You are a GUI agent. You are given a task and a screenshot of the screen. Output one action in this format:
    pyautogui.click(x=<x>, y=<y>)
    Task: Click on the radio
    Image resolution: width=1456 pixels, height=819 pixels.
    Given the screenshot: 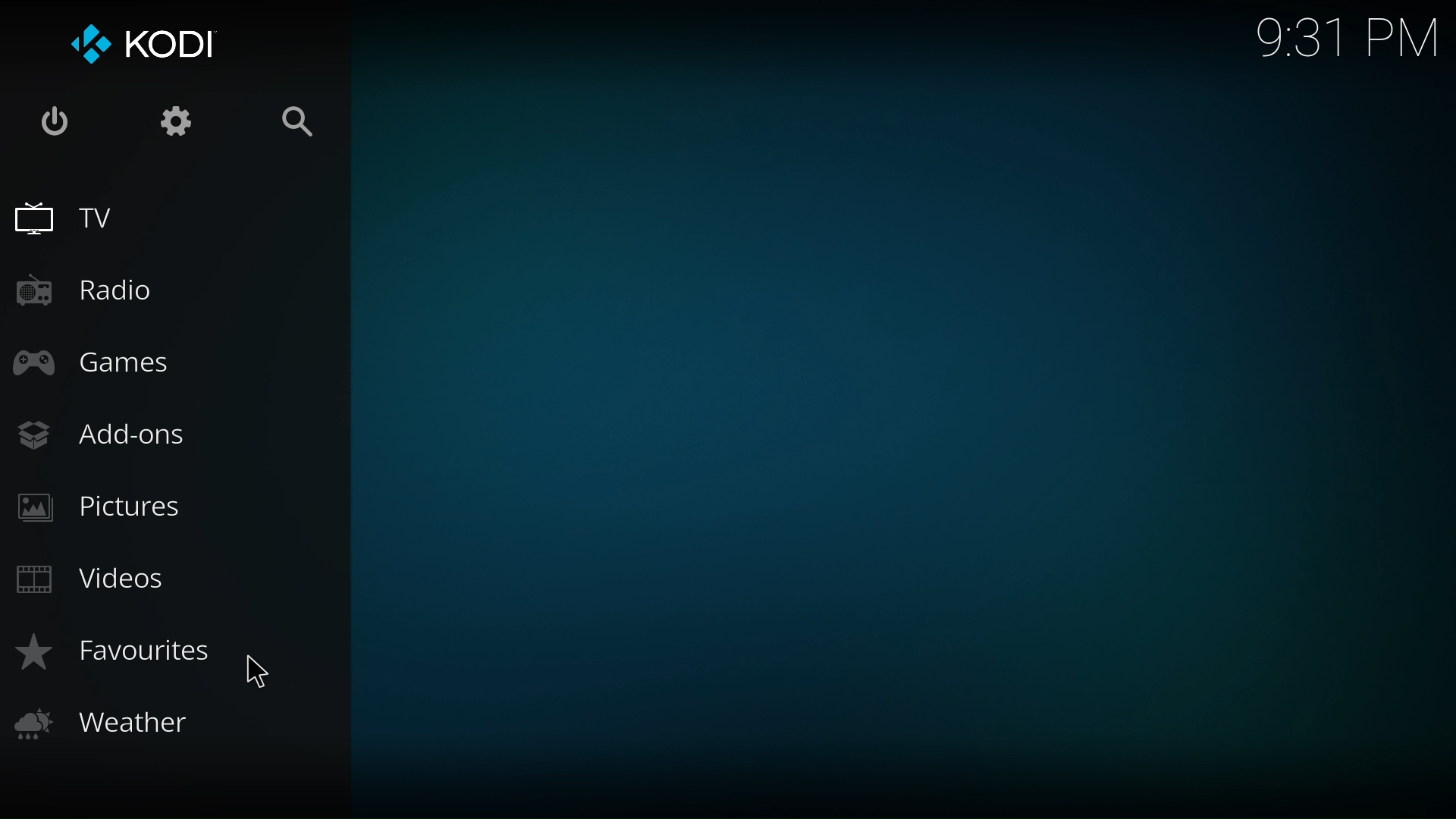 What is the action you would take?
    pyautogui.click(x=89, y=297)
    